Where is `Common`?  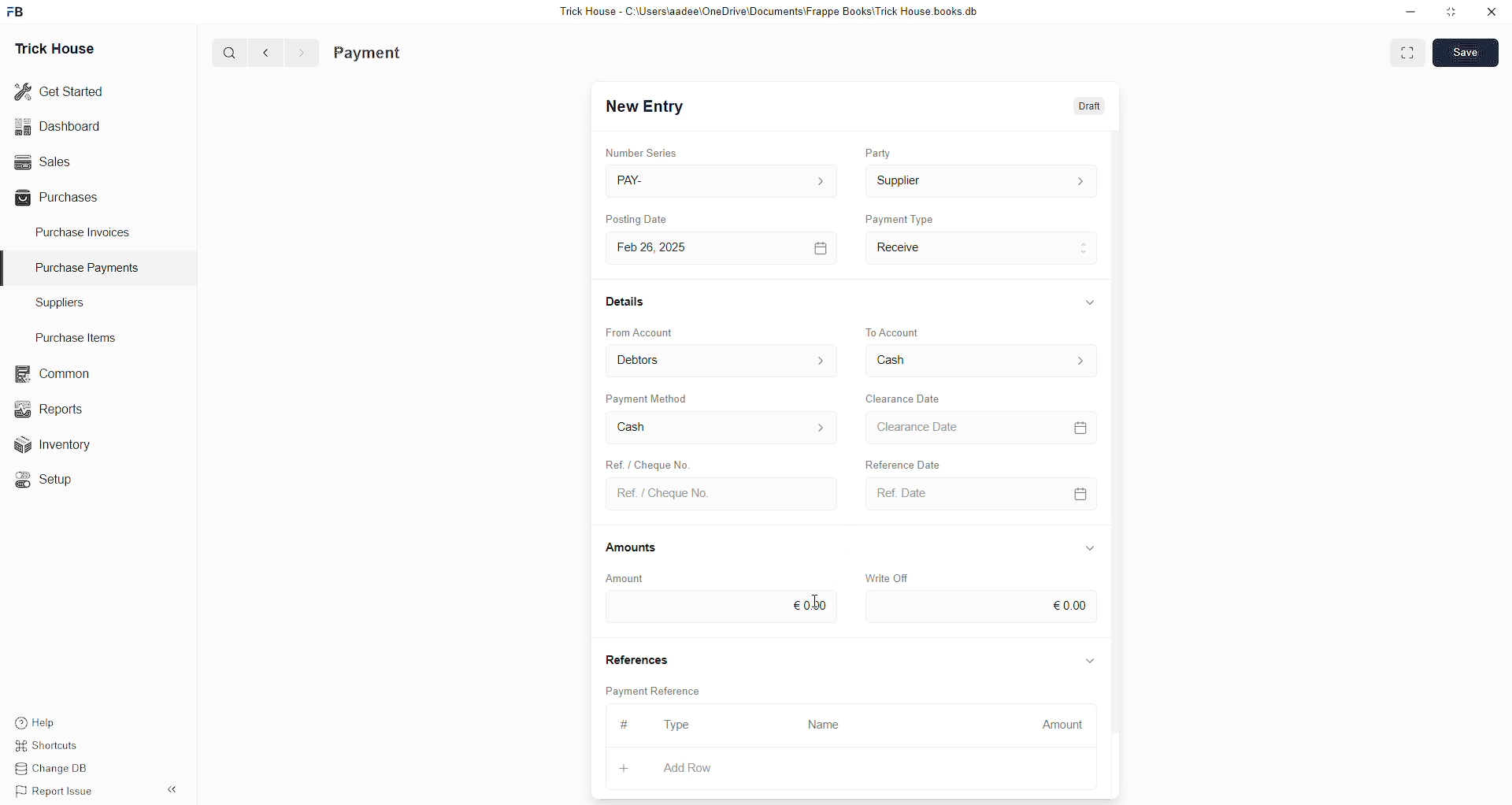 Common is located at coordinates (50, 373).